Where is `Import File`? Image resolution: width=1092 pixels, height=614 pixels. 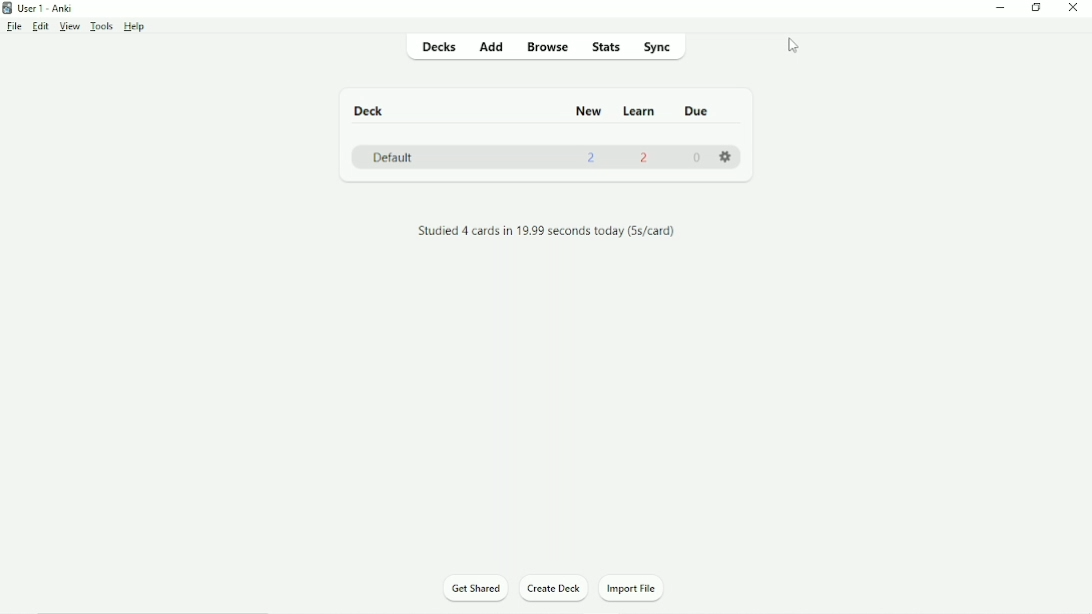
Import File is located at coordinates (638, 589).